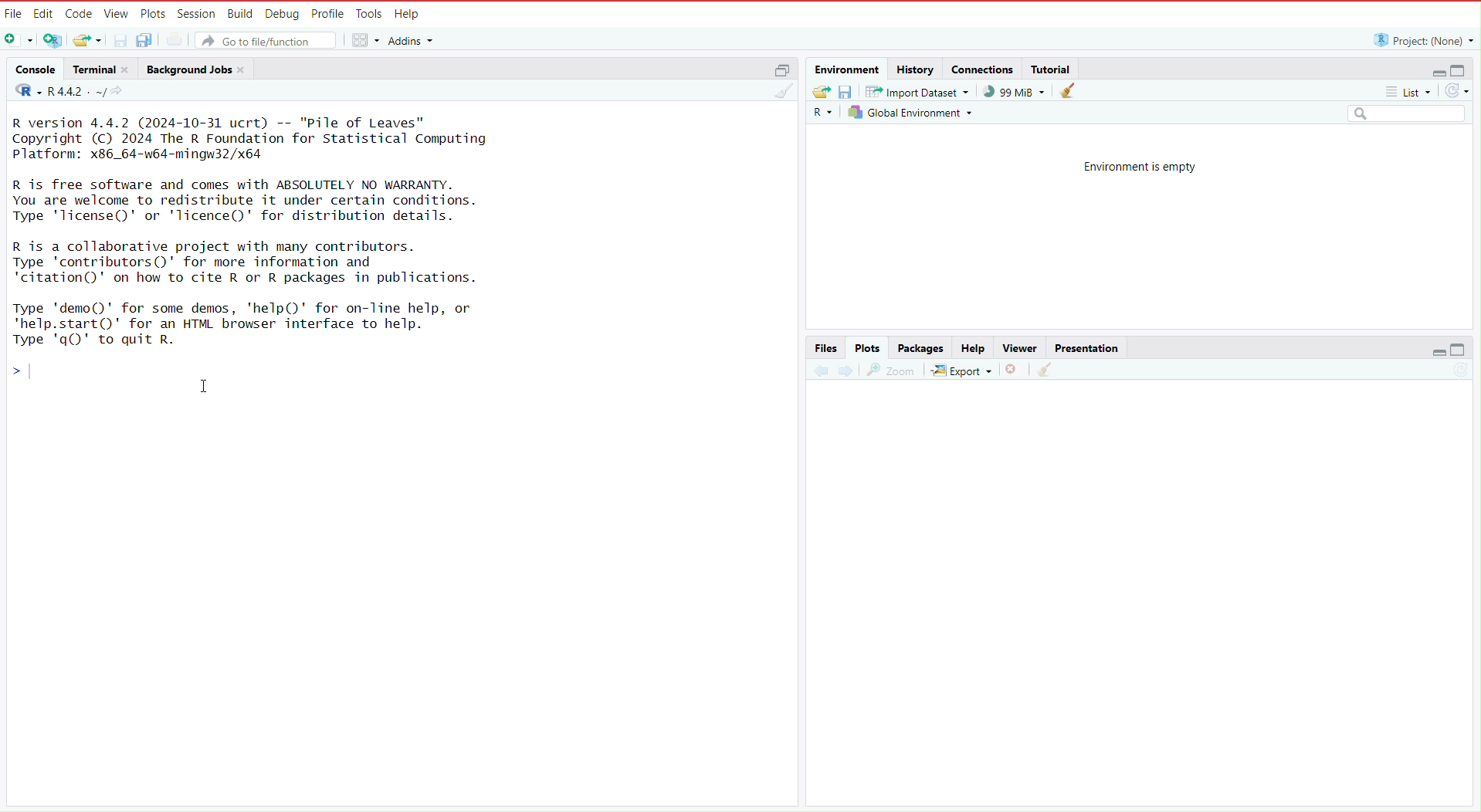  What do you see at coordinates (121, 92) in the screenshot?
I see `view the current working directory` at bounding box center [121, 92].